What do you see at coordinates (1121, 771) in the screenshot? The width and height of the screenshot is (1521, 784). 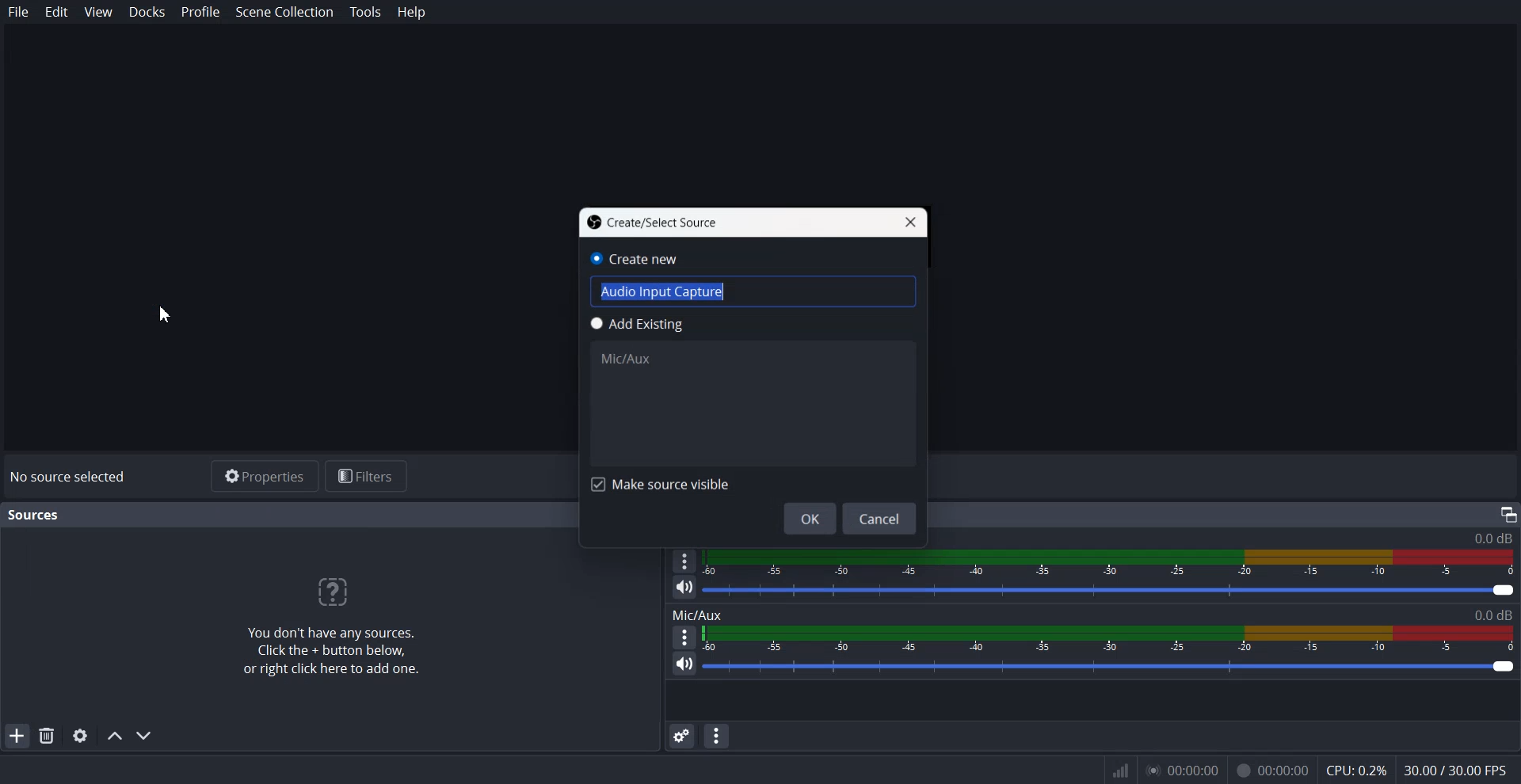 I see `Inf` at bounding box center [1121, 771].